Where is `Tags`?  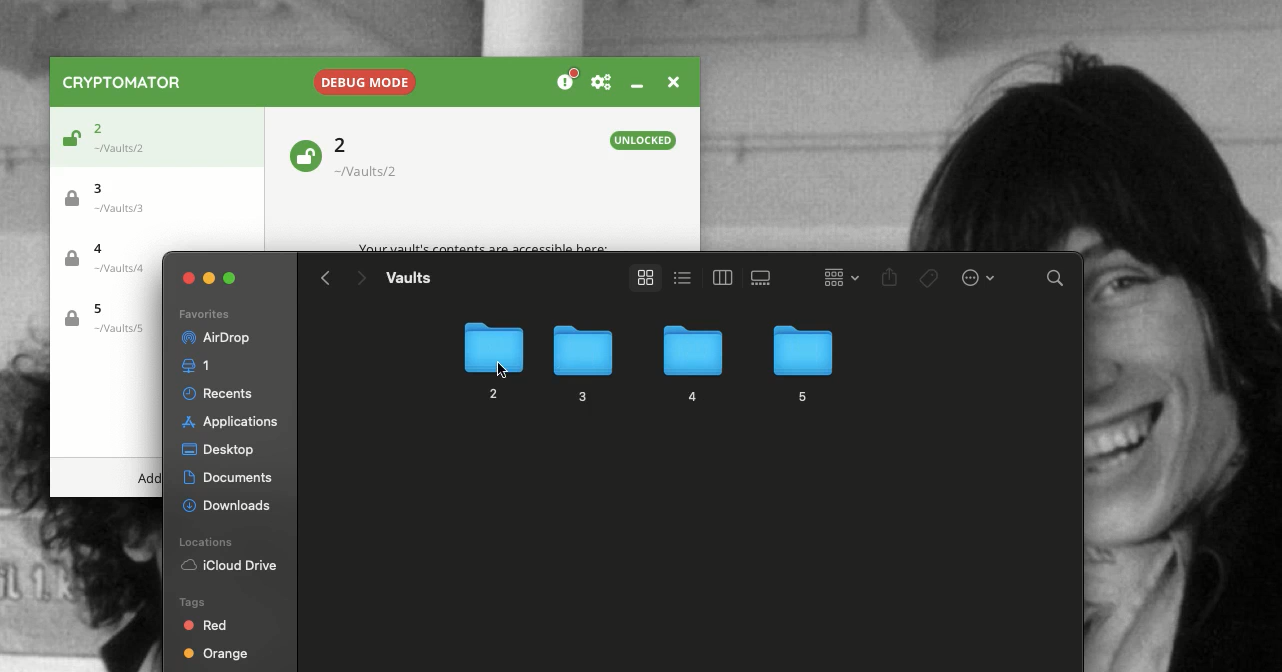
Tags is located at coordinates (190, 601).